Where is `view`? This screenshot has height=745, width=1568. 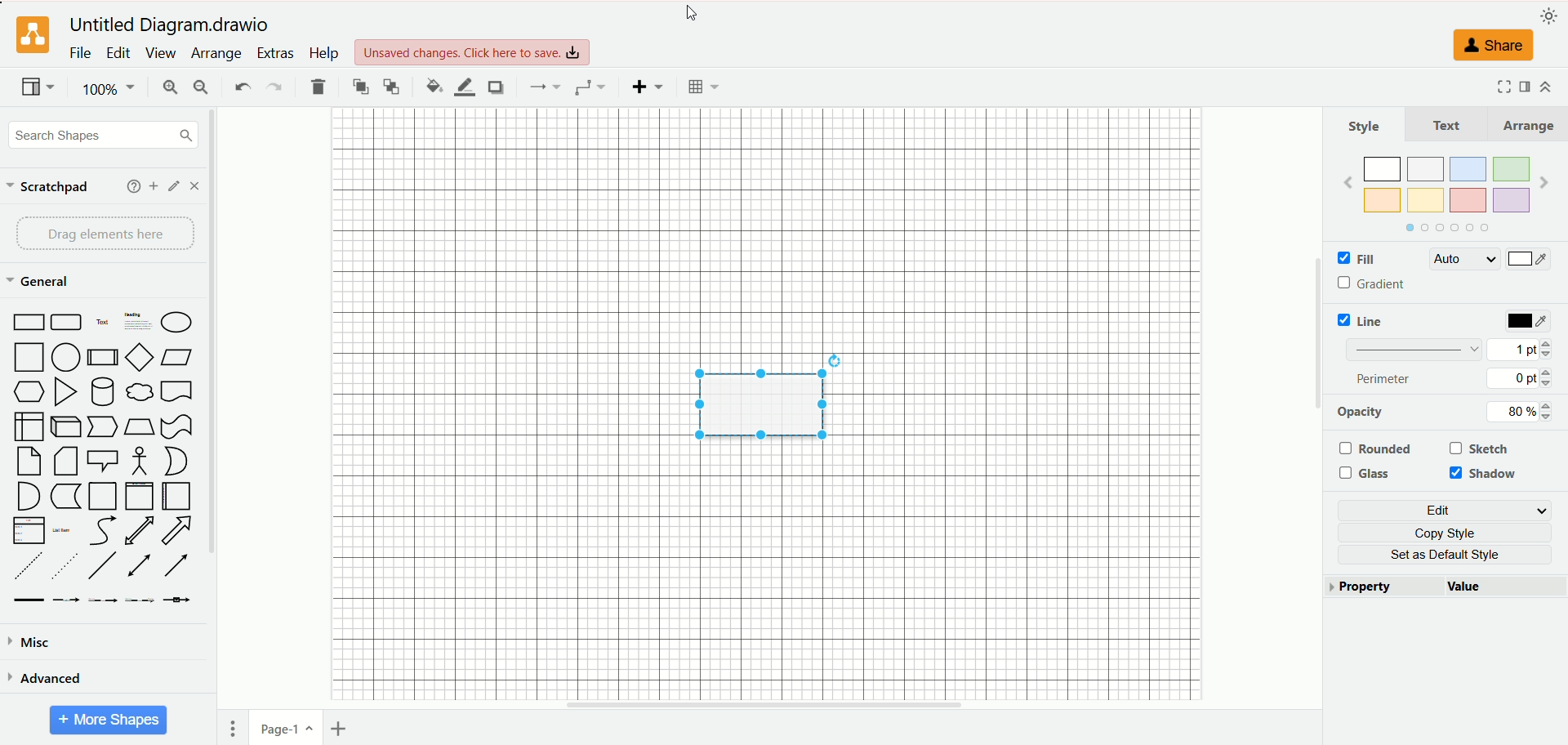
view is located at coordinates (38, 88).